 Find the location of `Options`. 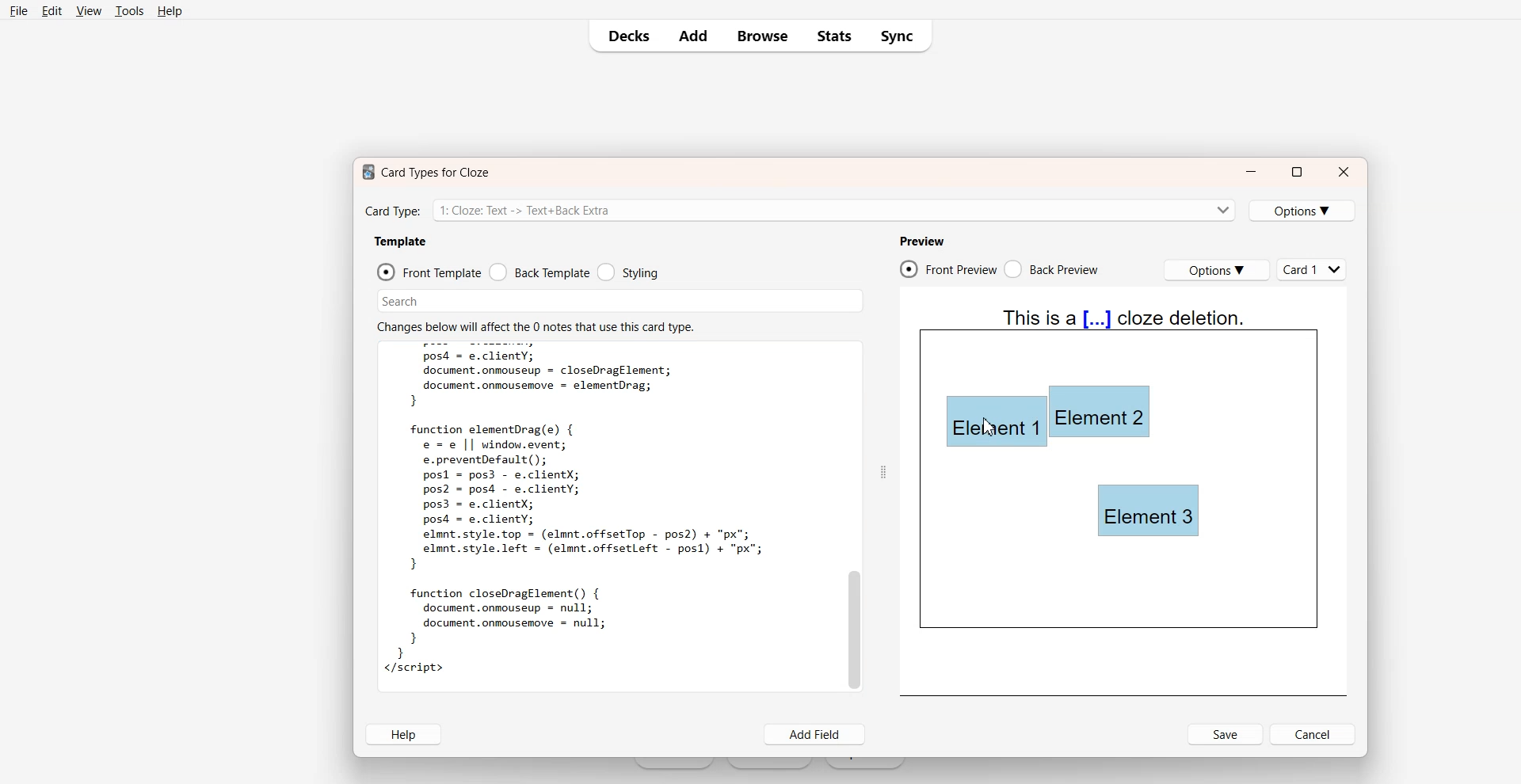

Options is located at coordinates (1303, 211).